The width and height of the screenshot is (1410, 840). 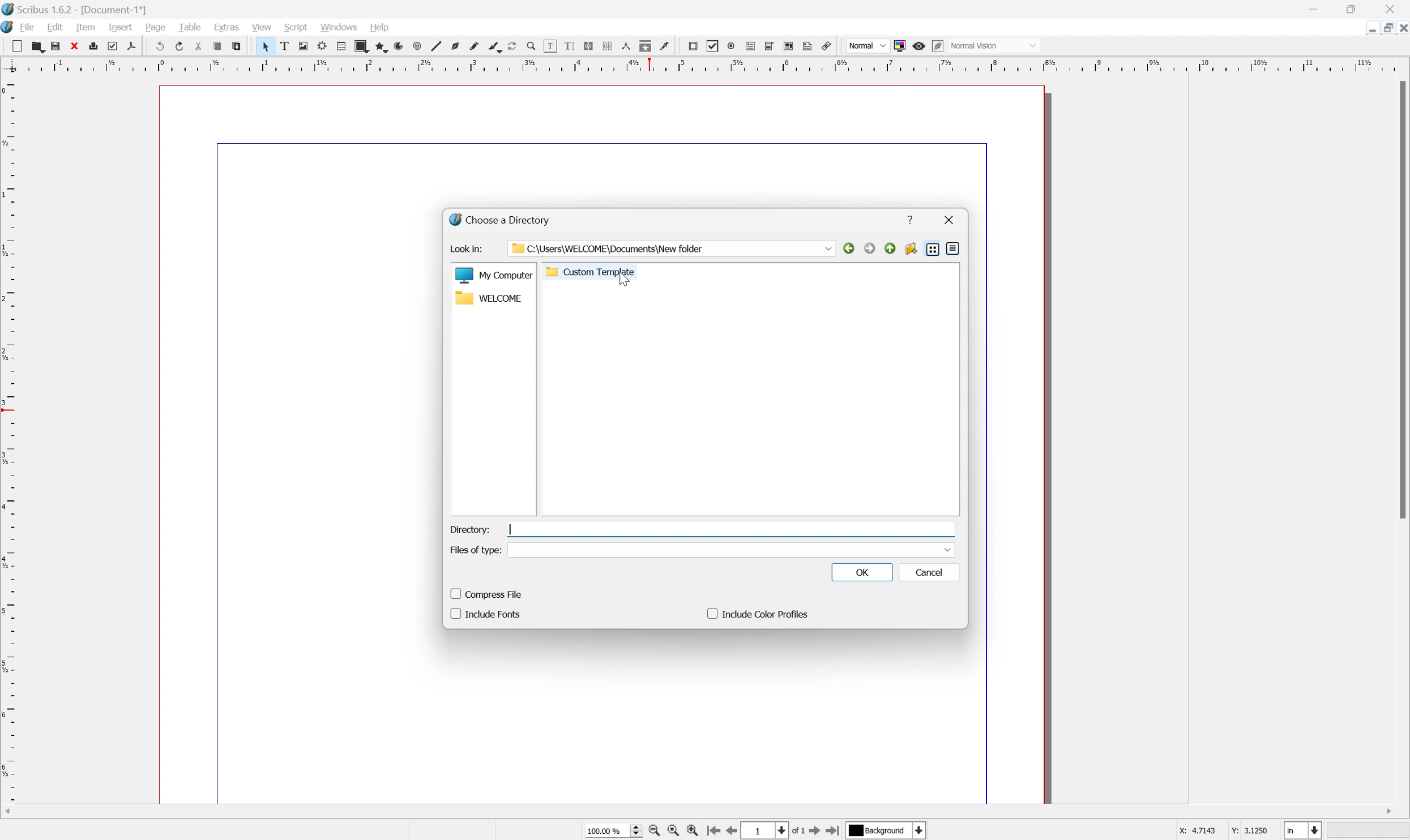 I want to click on line, so click(x=434, y=47).